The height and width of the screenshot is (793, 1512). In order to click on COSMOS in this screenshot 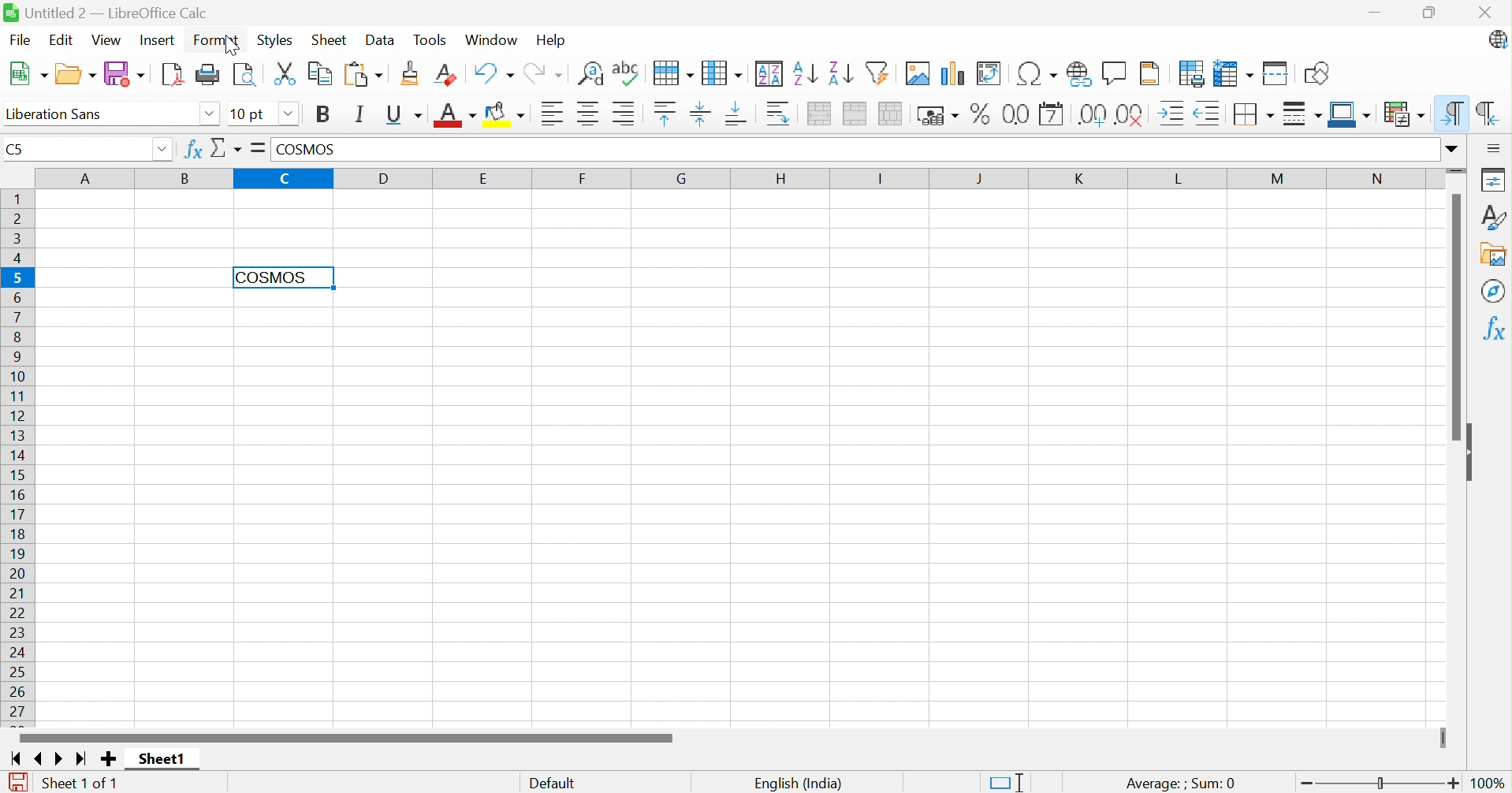, I will do `click(274, 278)`.